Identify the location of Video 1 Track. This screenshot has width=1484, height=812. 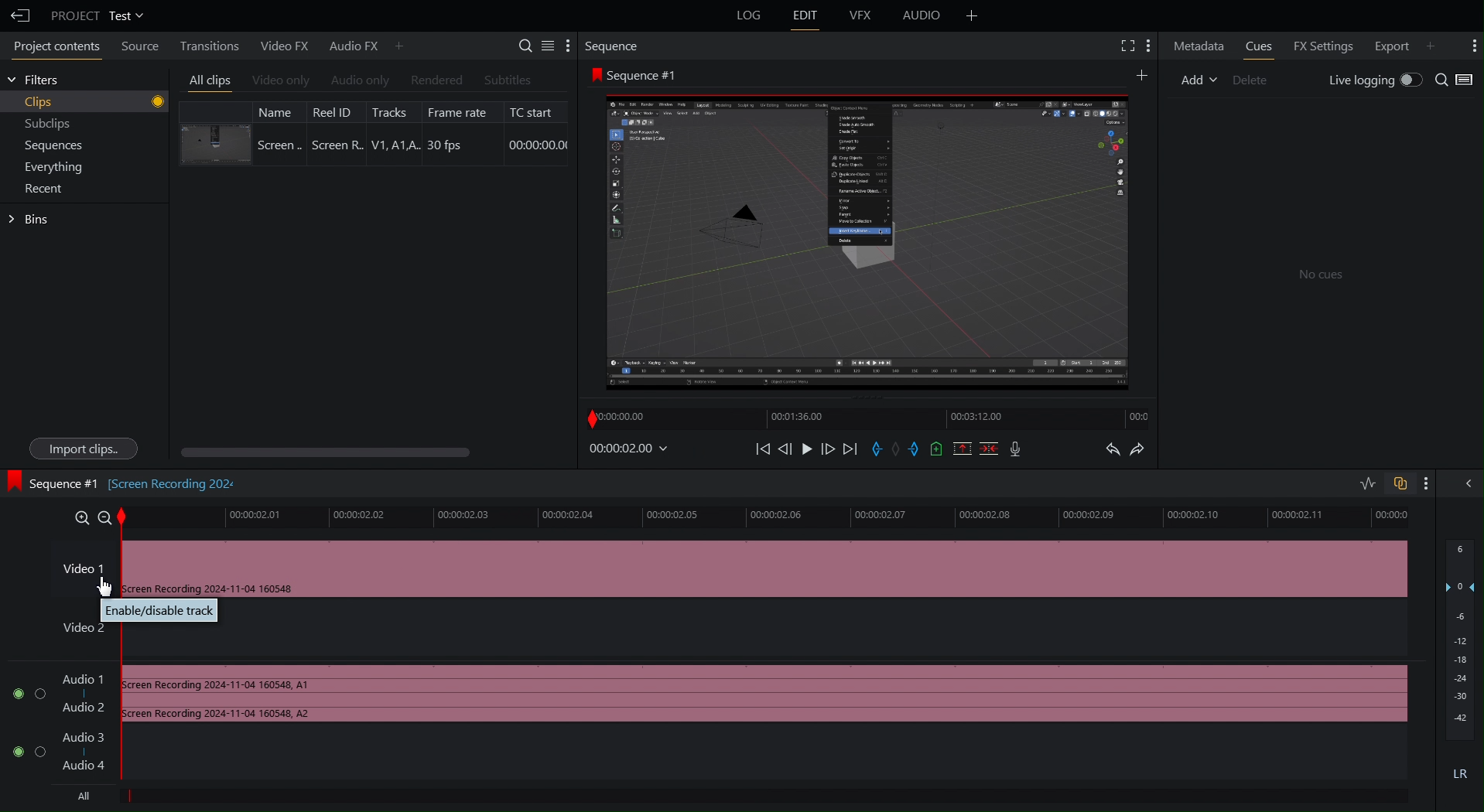
(730, 565).